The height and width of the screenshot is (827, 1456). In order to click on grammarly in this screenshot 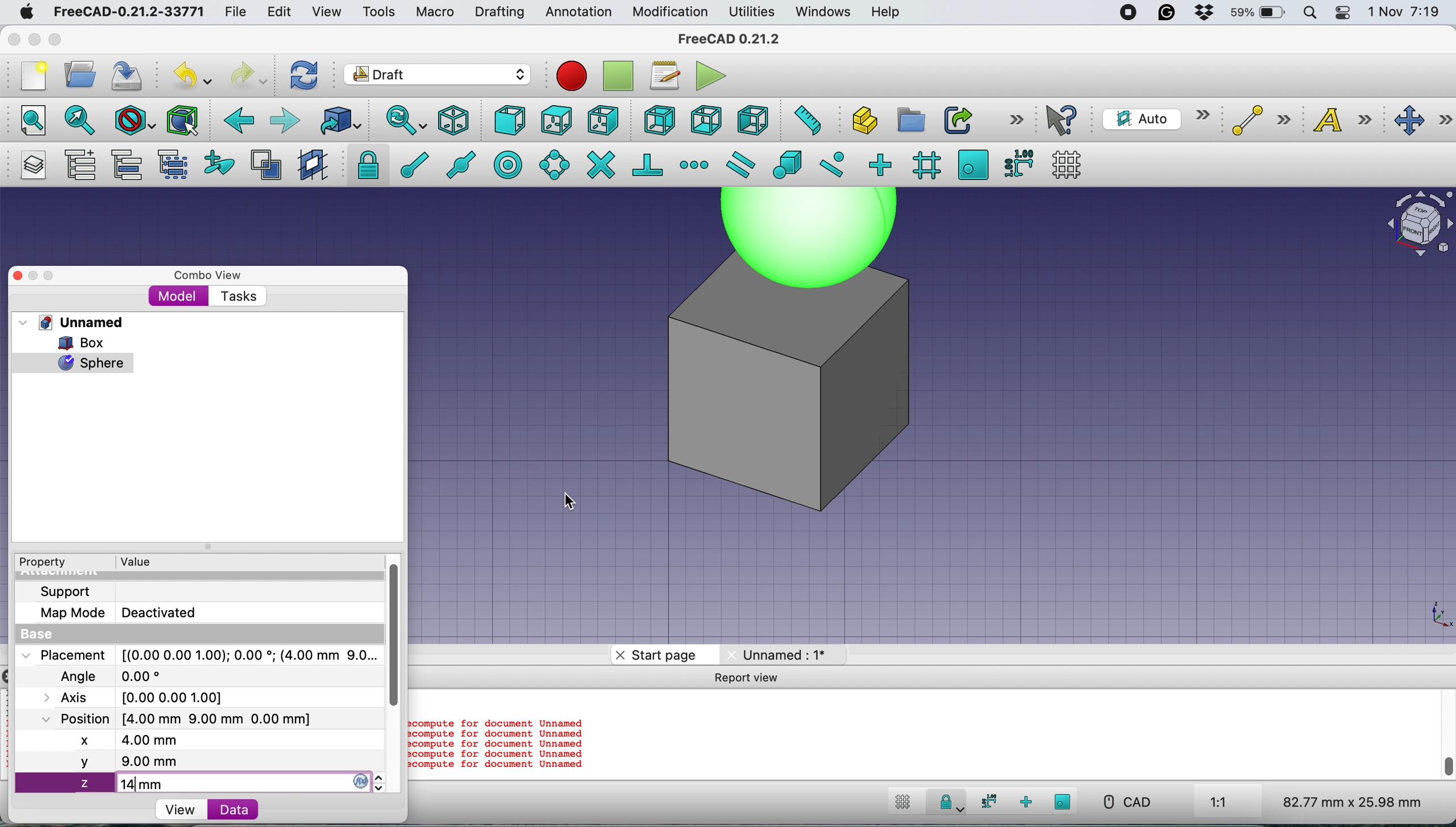, I will do `click(1167, 12)`.